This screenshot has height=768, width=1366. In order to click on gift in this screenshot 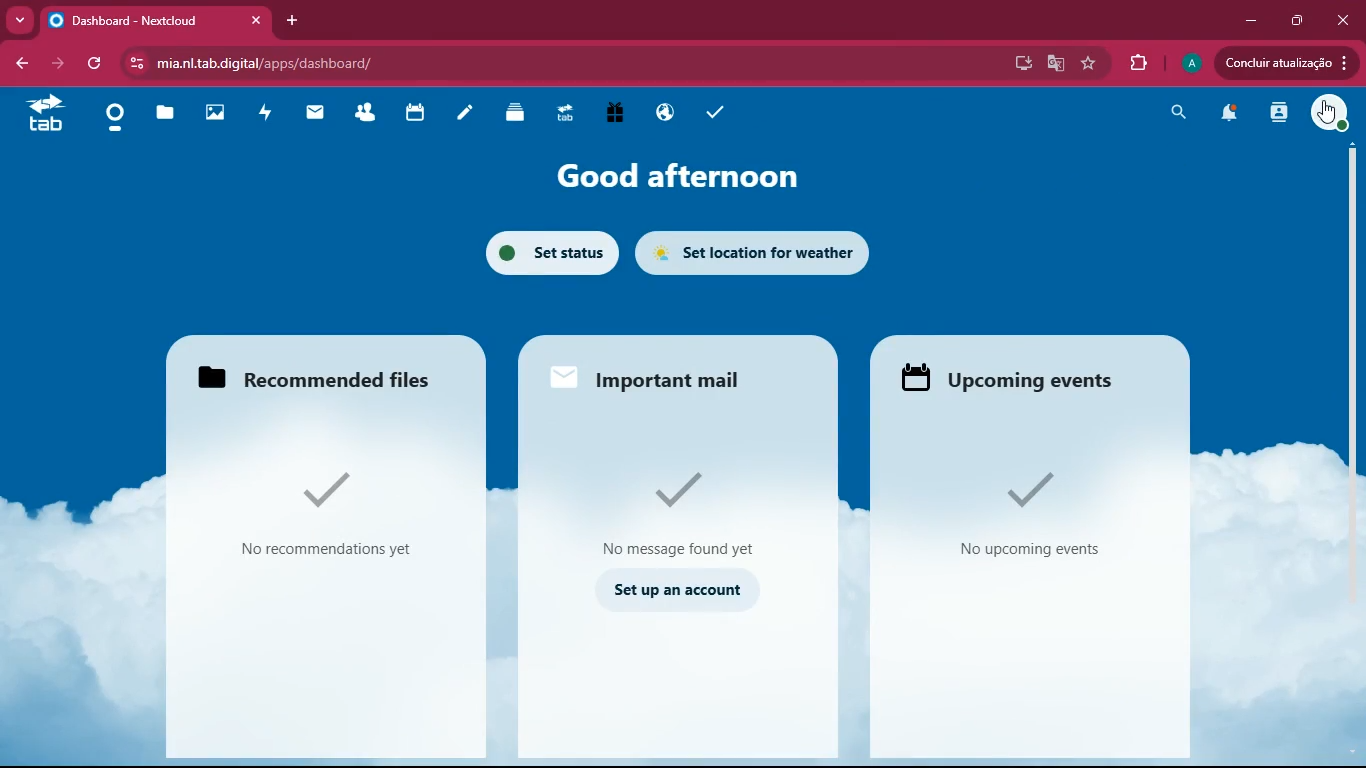, I will do `click(621, 114)`.